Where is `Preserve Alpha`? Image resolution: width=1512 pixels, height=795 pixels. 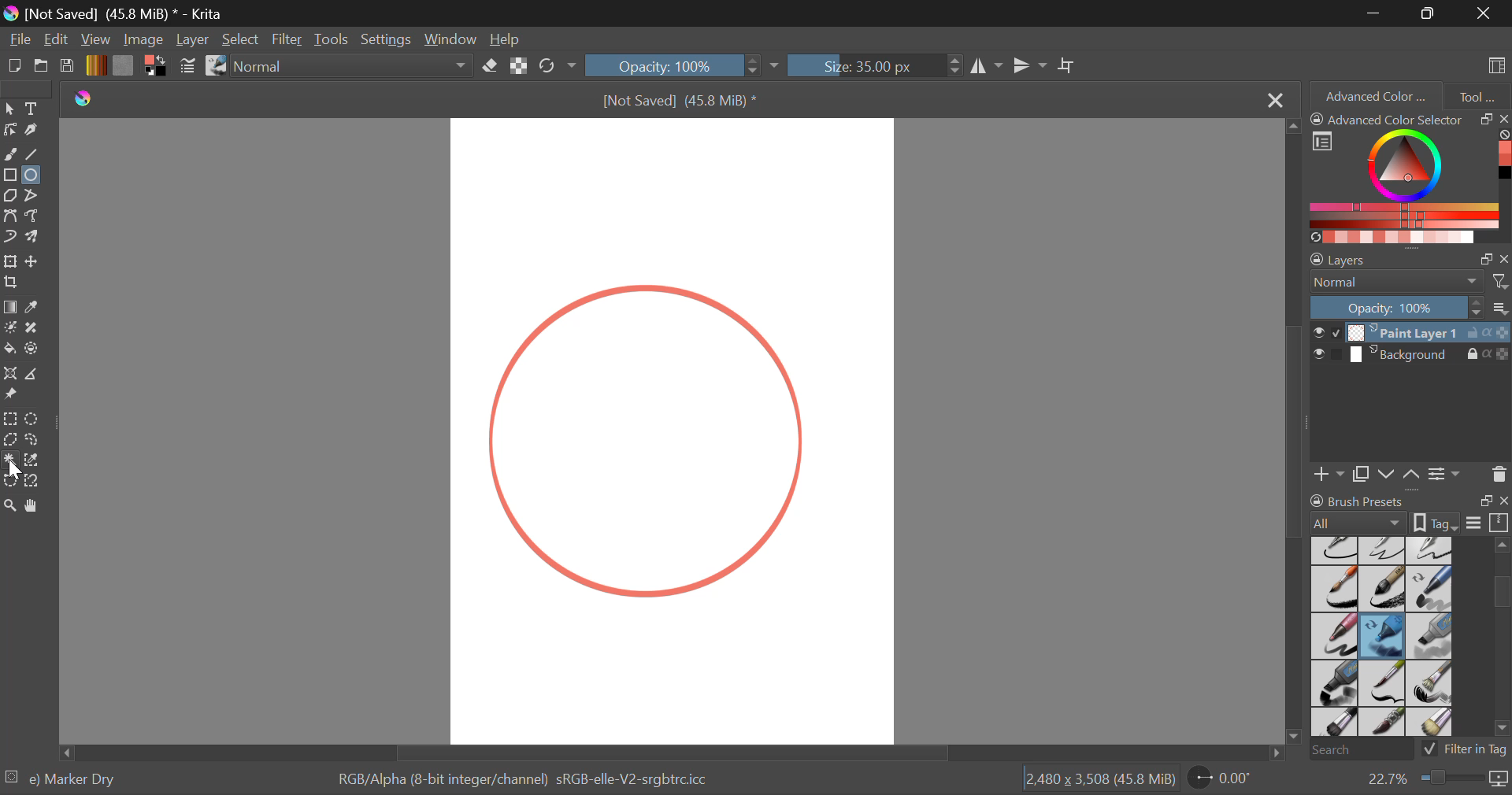
Preserve Alpha is located at coordinates (518, 66).